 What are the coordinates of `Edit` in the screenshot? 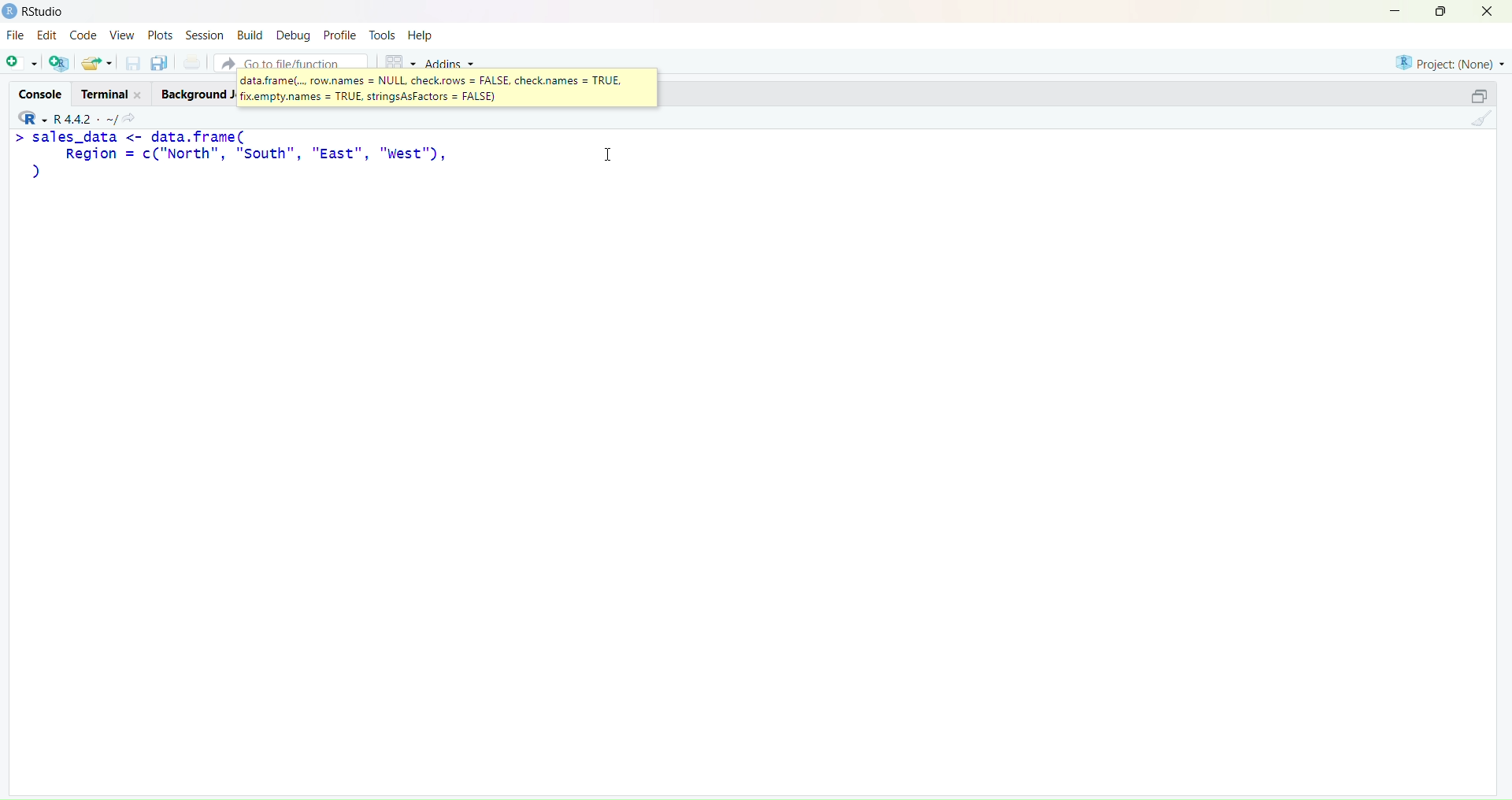 It's located at (46, 37).